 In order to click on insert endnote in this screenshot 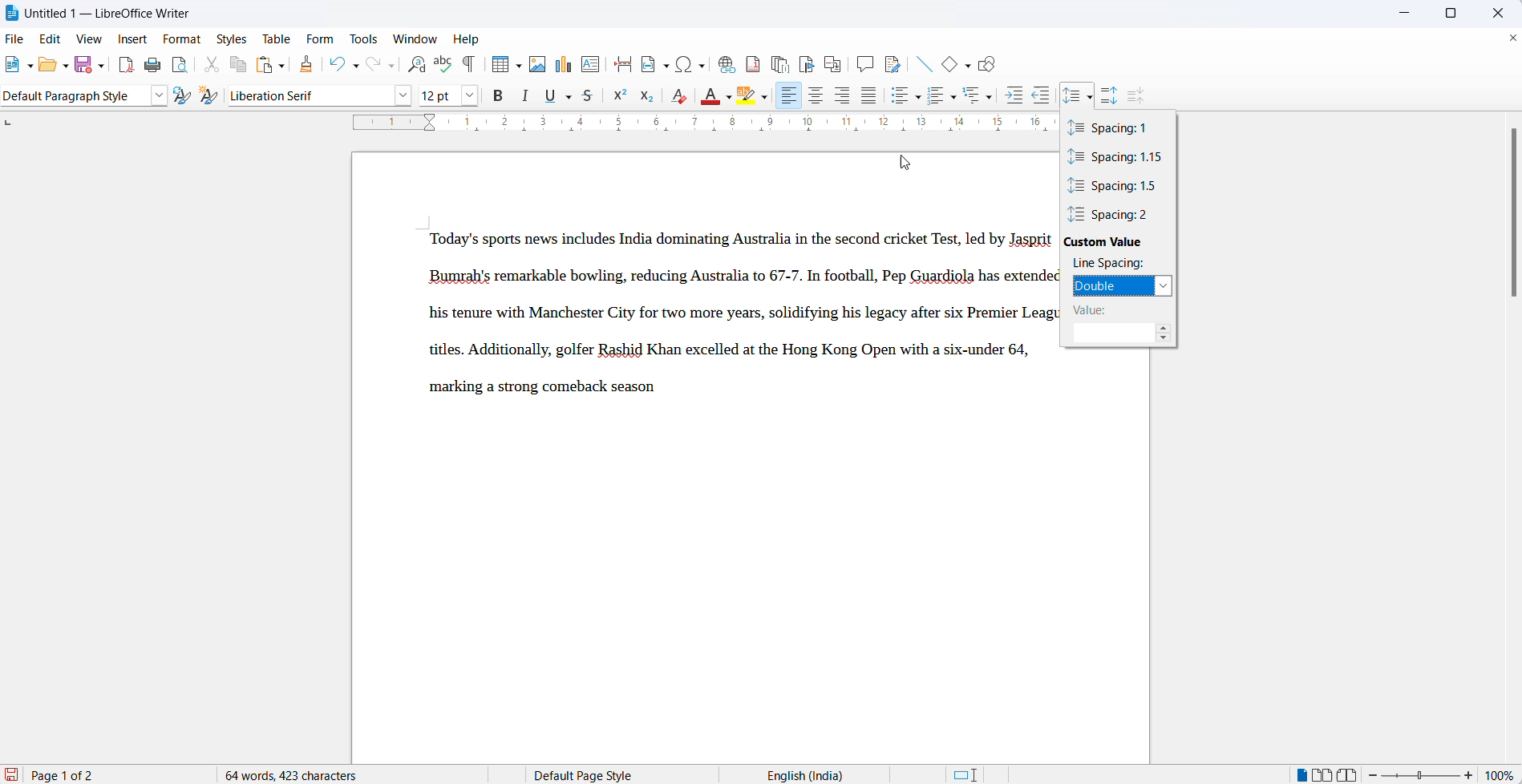, I will do `click(778, 62)`.